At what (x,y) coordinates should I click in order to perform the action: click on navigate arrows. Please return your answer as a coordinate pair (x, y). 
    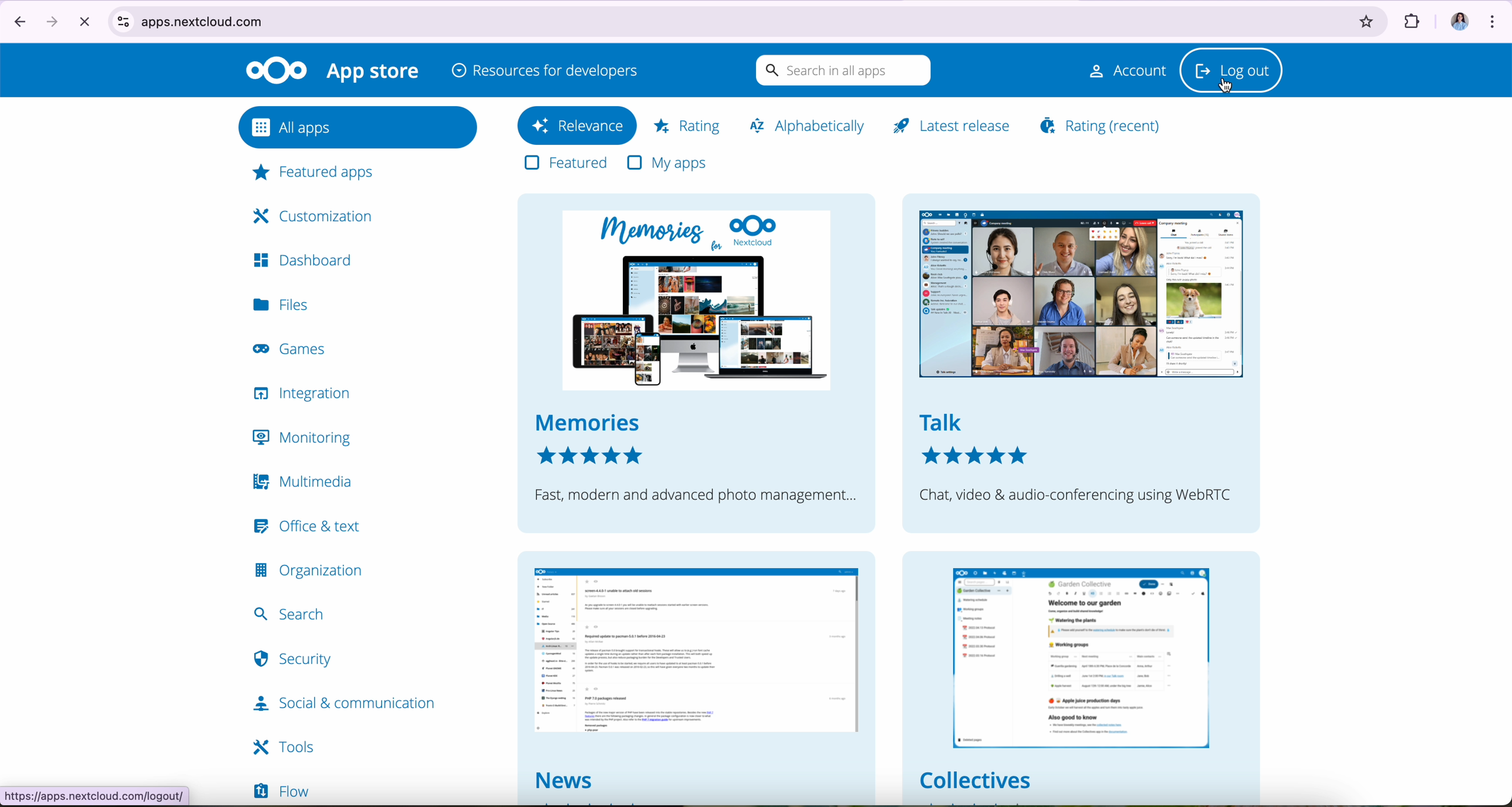
    Looking at the image, I should click on (32, 21).